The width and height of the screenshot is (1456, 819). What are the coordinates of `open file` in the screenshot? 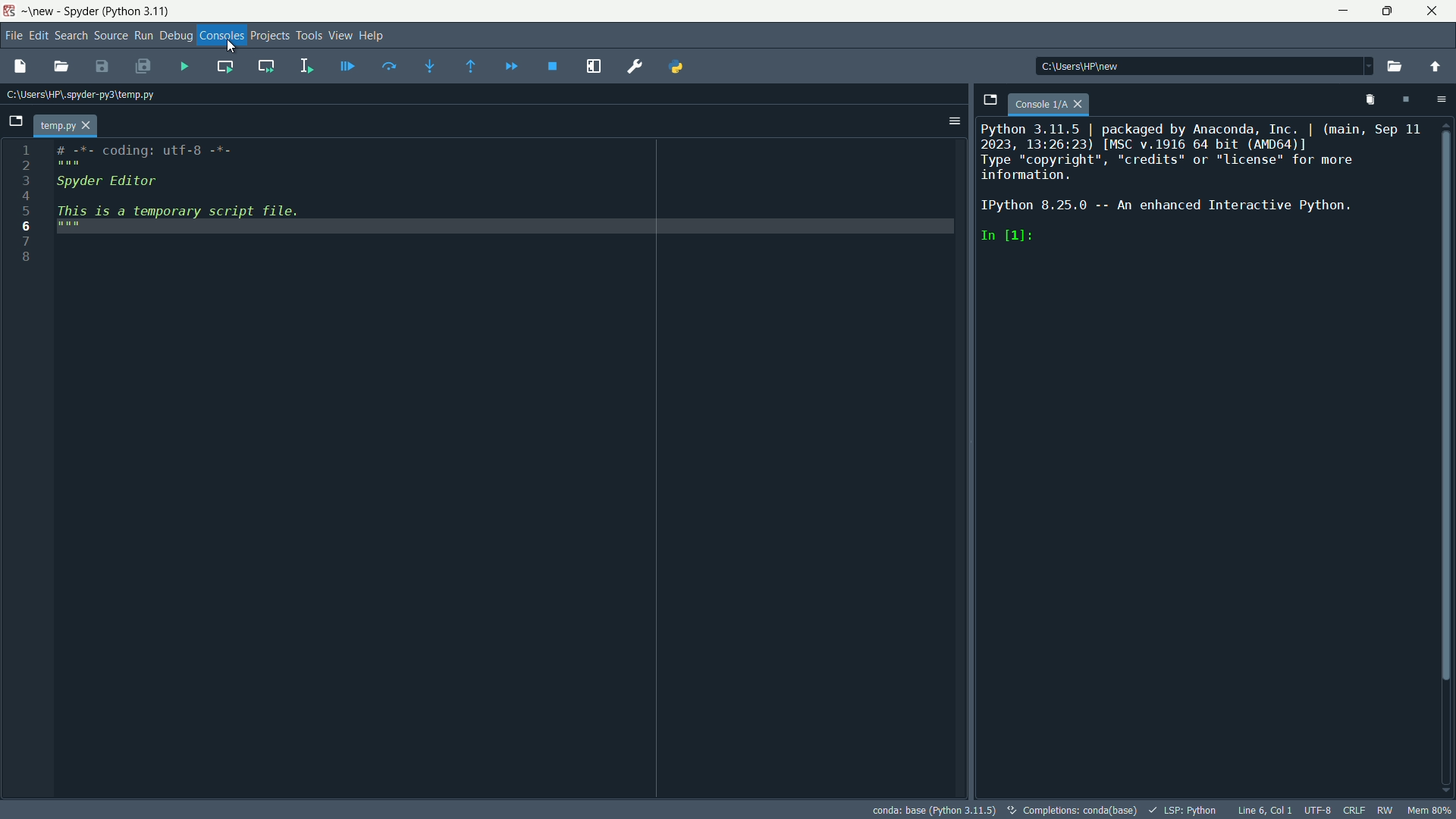 It's located at (61, 67).